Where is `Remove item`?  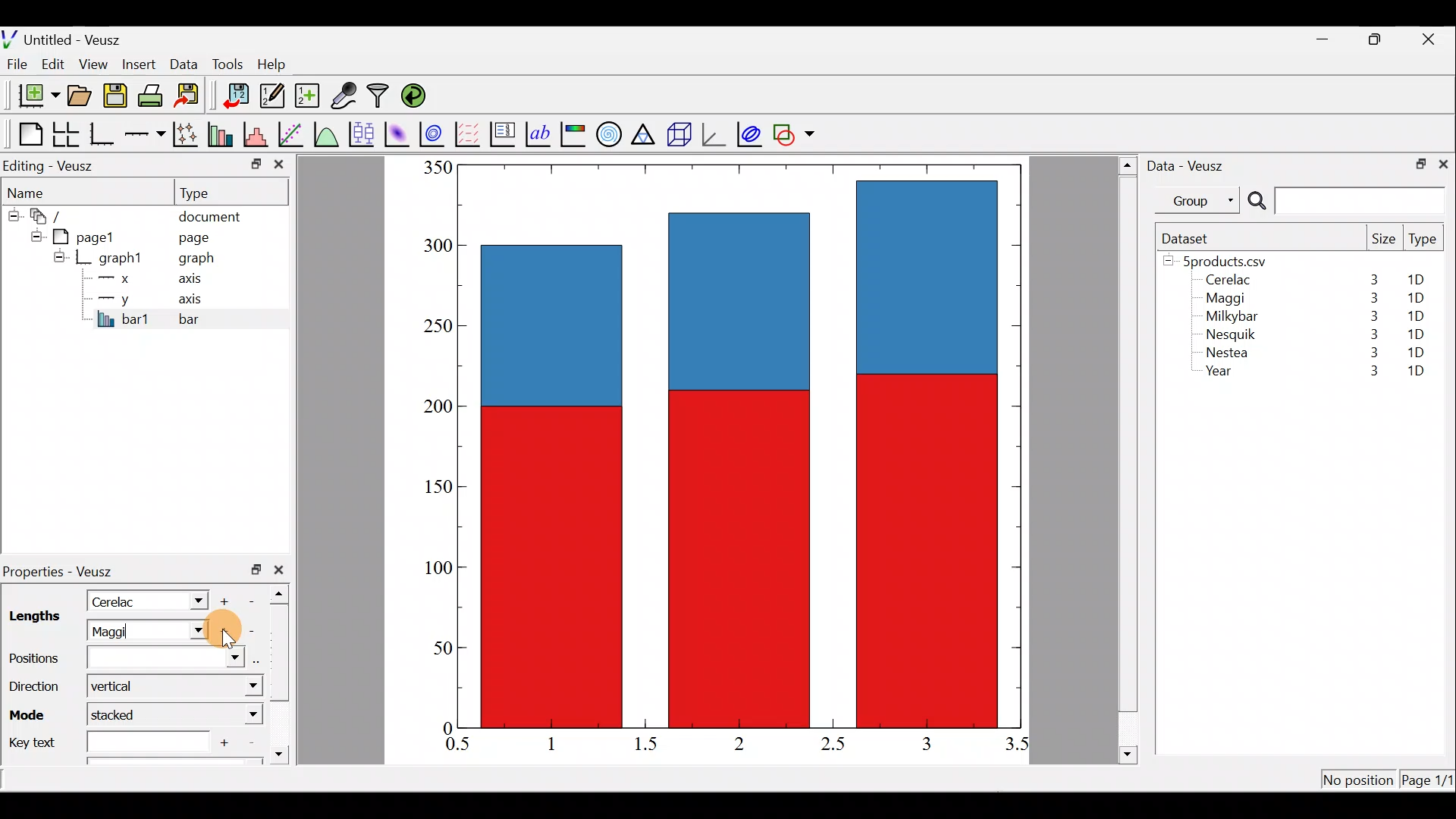 Remove item is located at coordinates (256, 600).